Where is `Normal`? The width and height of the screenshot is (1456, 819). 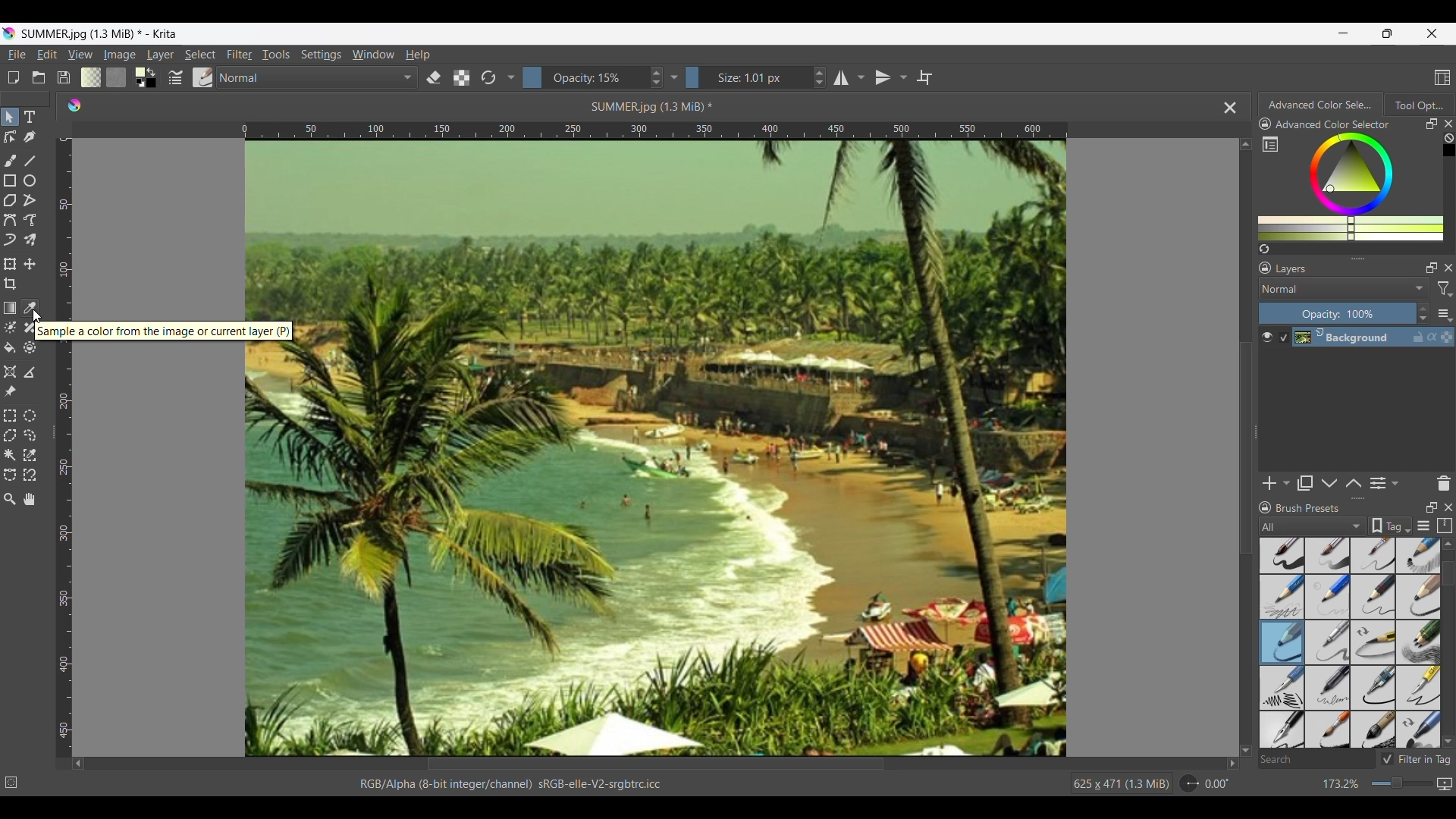 Normal is located at coordinates (1344, 288).